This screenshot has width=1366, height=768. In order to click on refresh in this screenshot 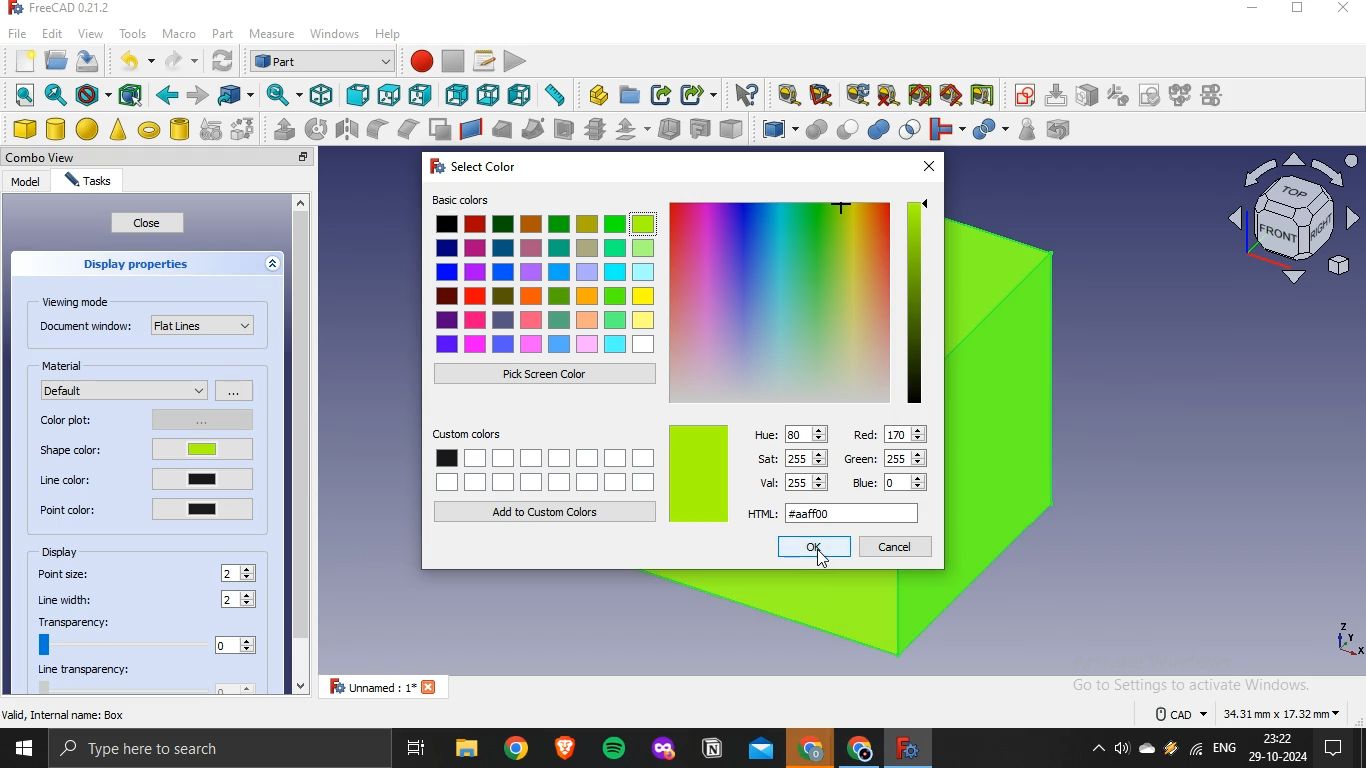, I will do `click(857, 94)`.